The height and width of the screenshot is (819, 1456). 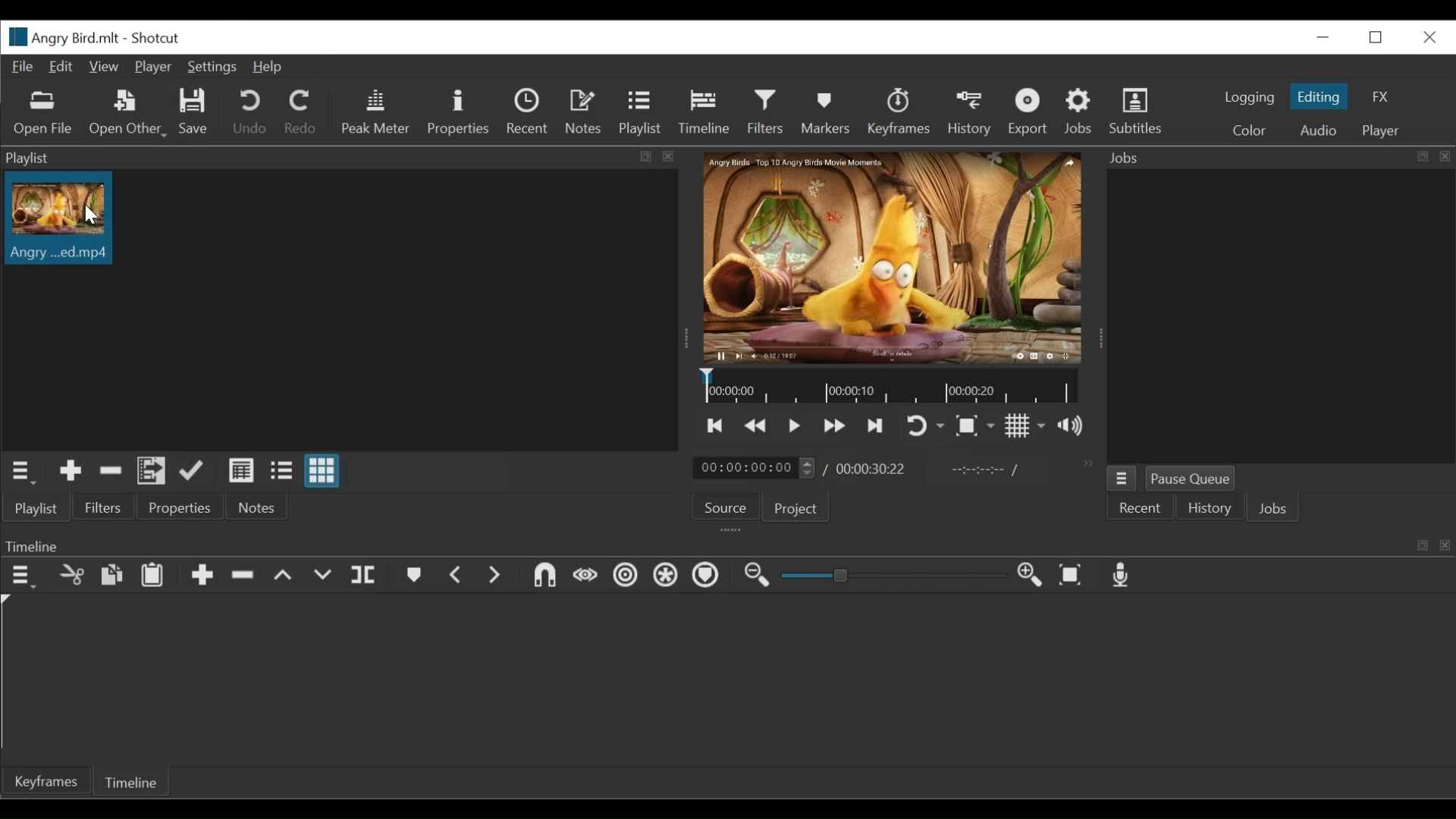 What do you see at coordinates (585, 113) in the screenshot?
I see `Notes` at bounding box center [585, 113].